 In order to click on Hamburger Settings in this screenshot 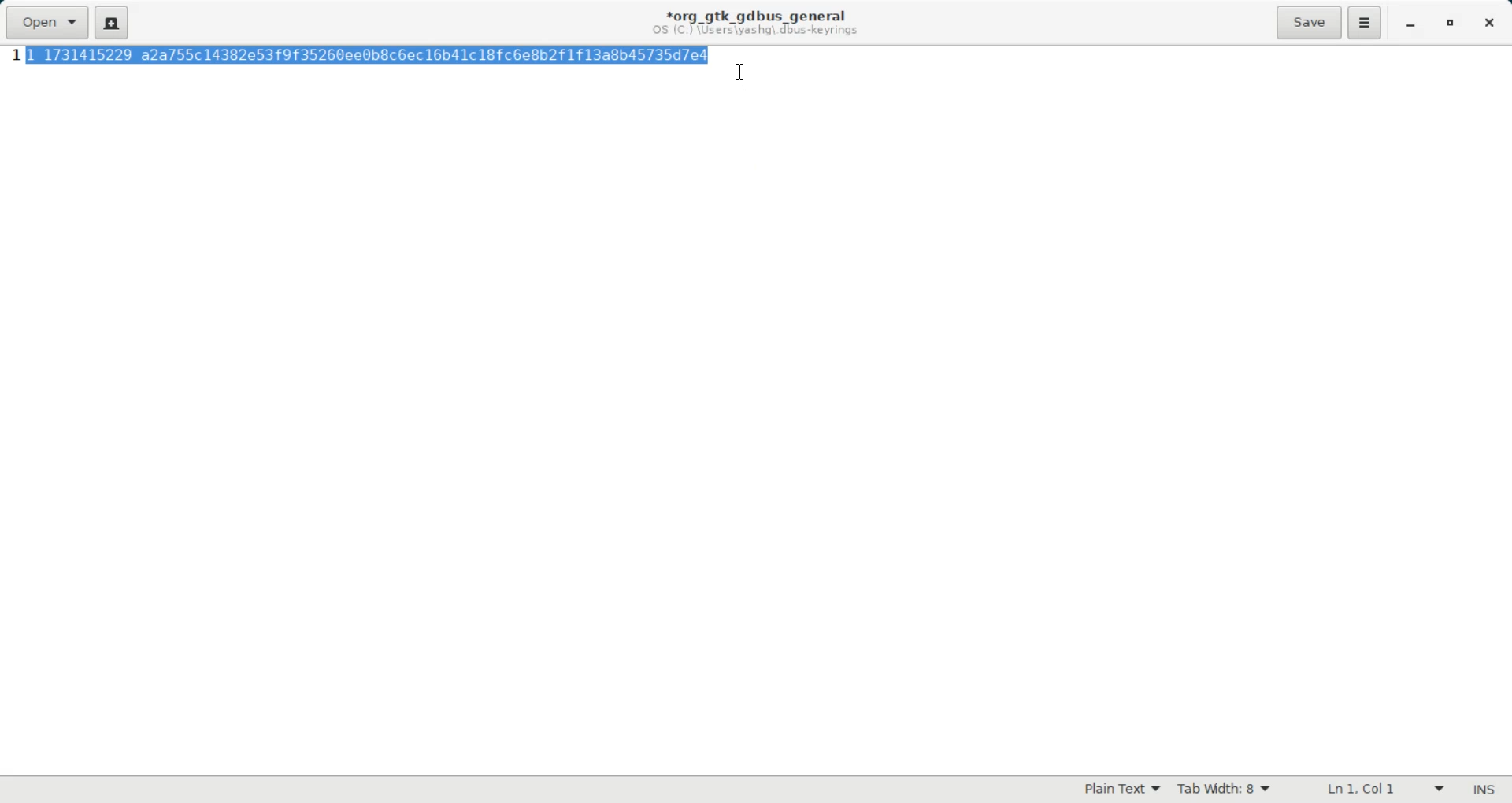, I will do `click(1365, 22)`.